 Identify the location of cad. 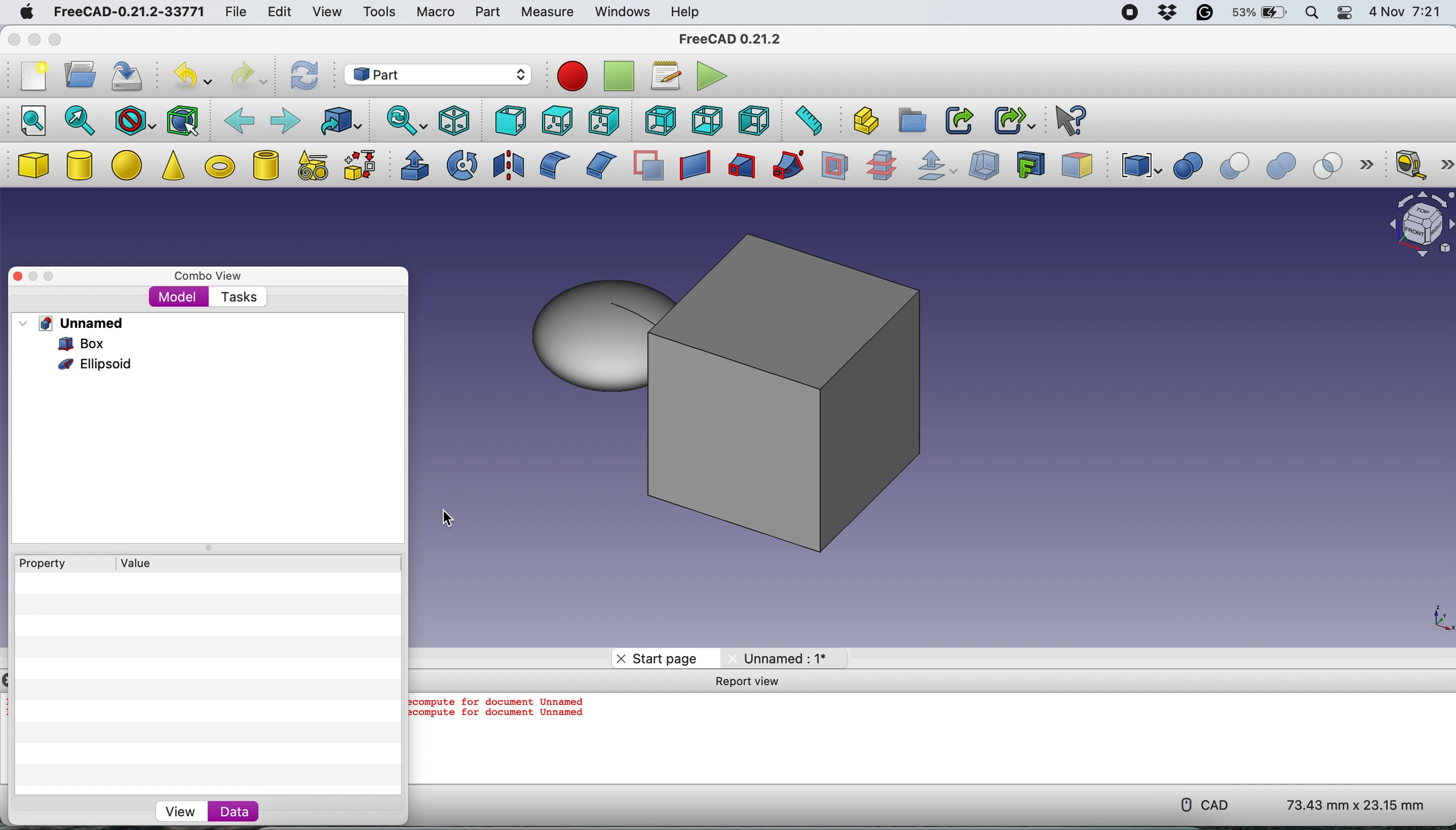
(1200, 805).